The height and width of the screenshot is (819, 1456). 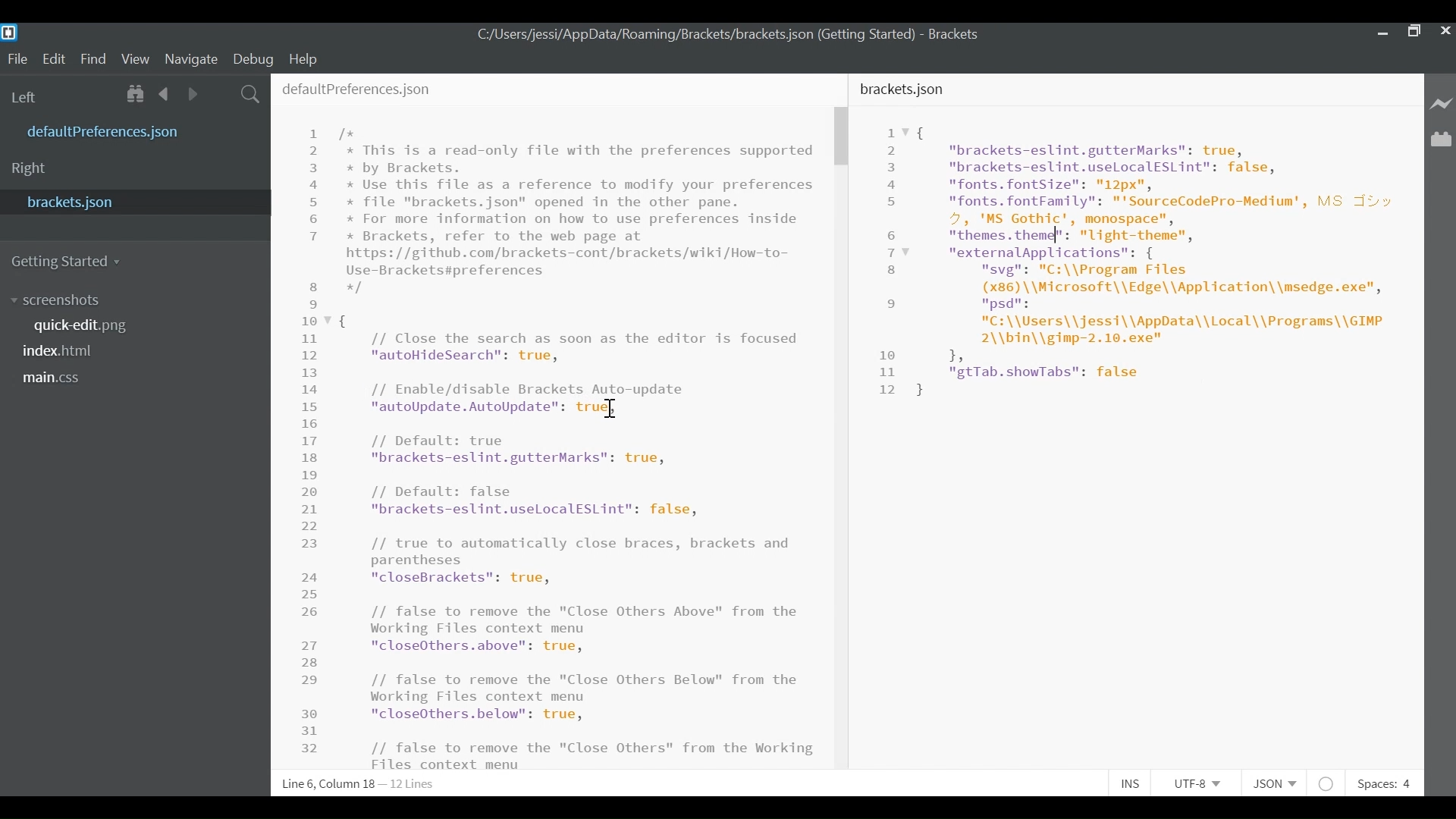 I want to click on Split the Editor Vertically or Horizontally, so click(x=221, y=93).